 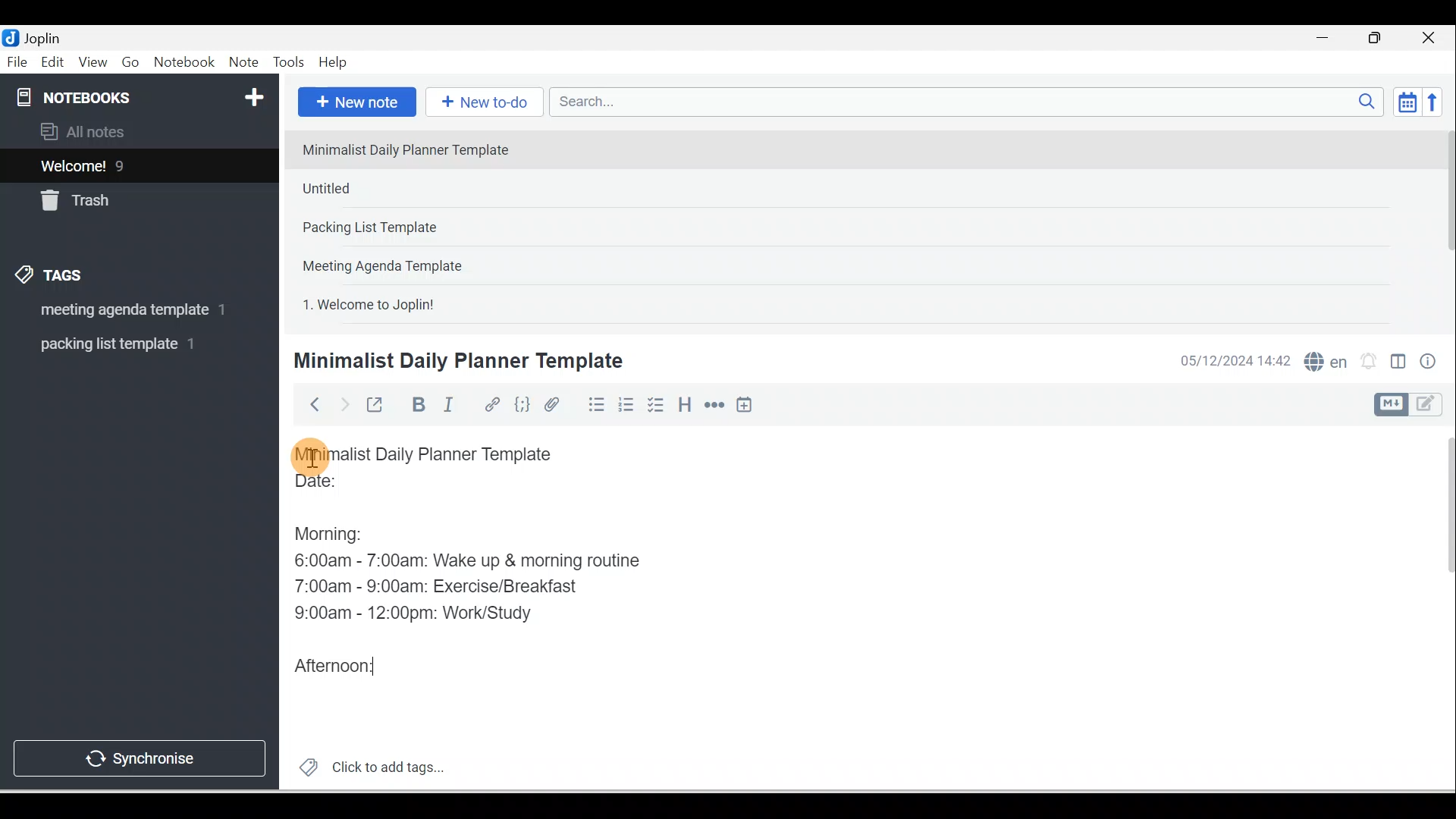 I want to click on Date & time, so click(x=1232, y=361).